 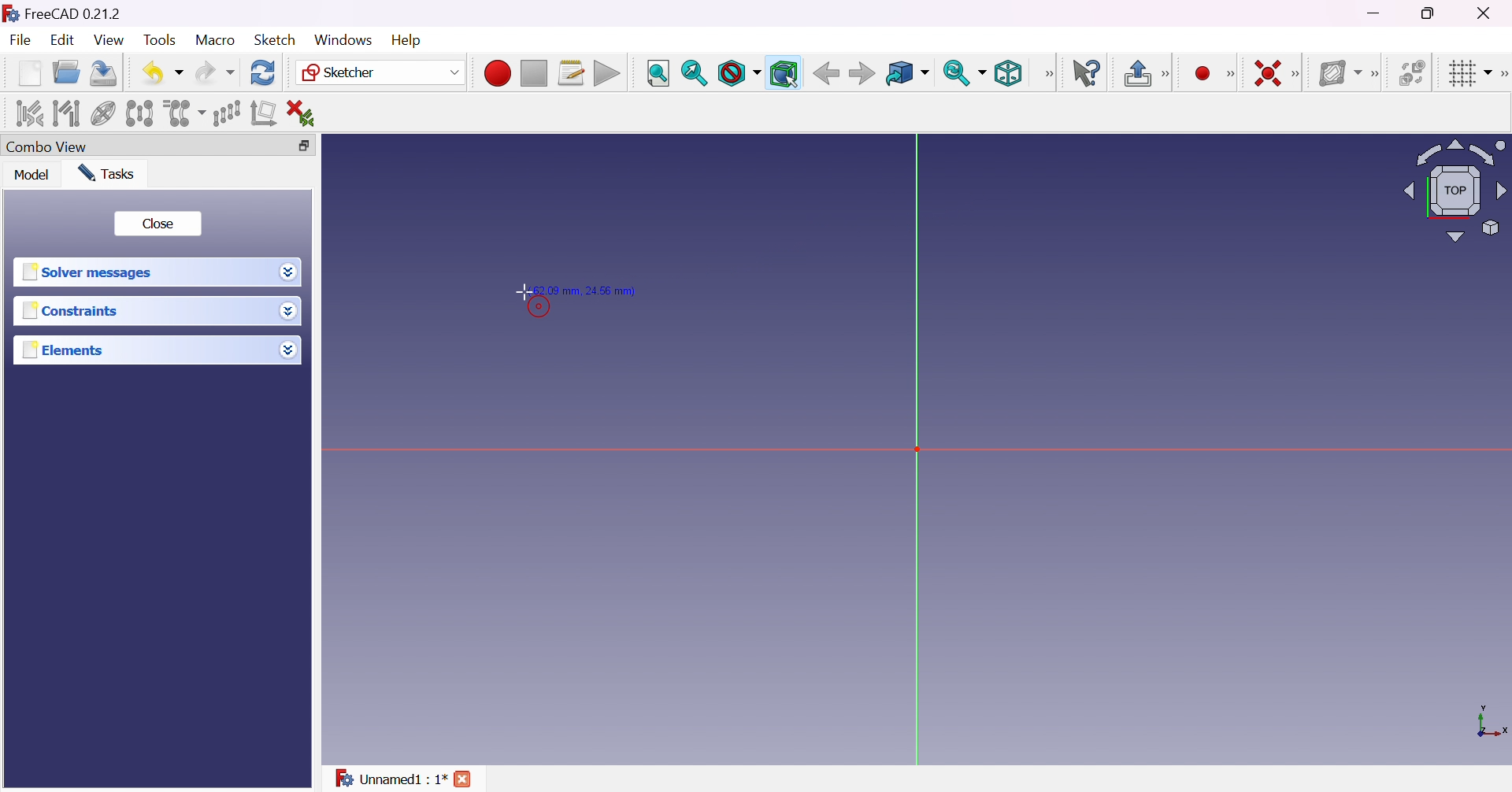 I want to click on View, so click(x=1050, y=73).